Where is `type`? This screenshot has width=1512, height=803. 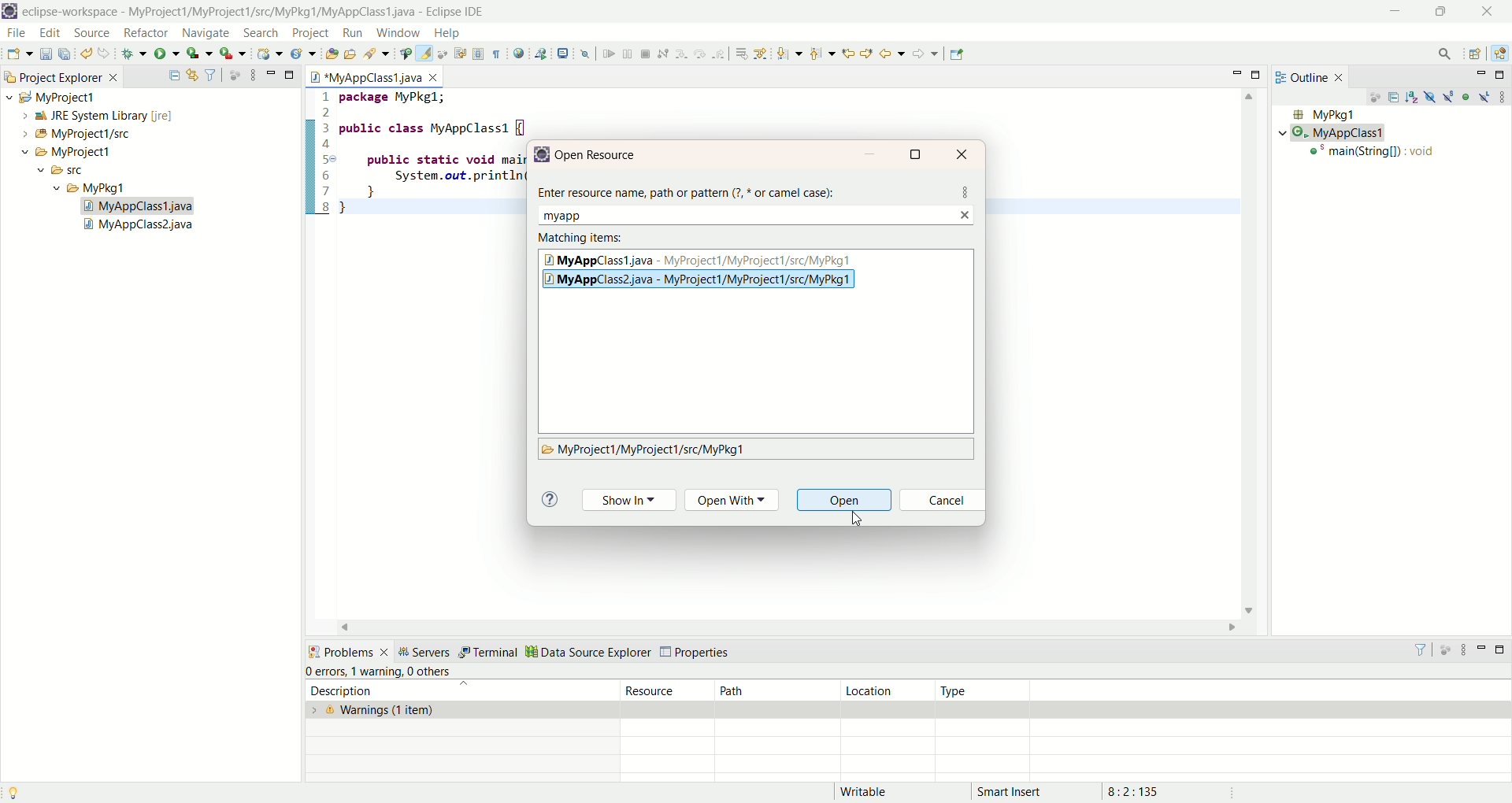
type is located at coordinates (986, 690).